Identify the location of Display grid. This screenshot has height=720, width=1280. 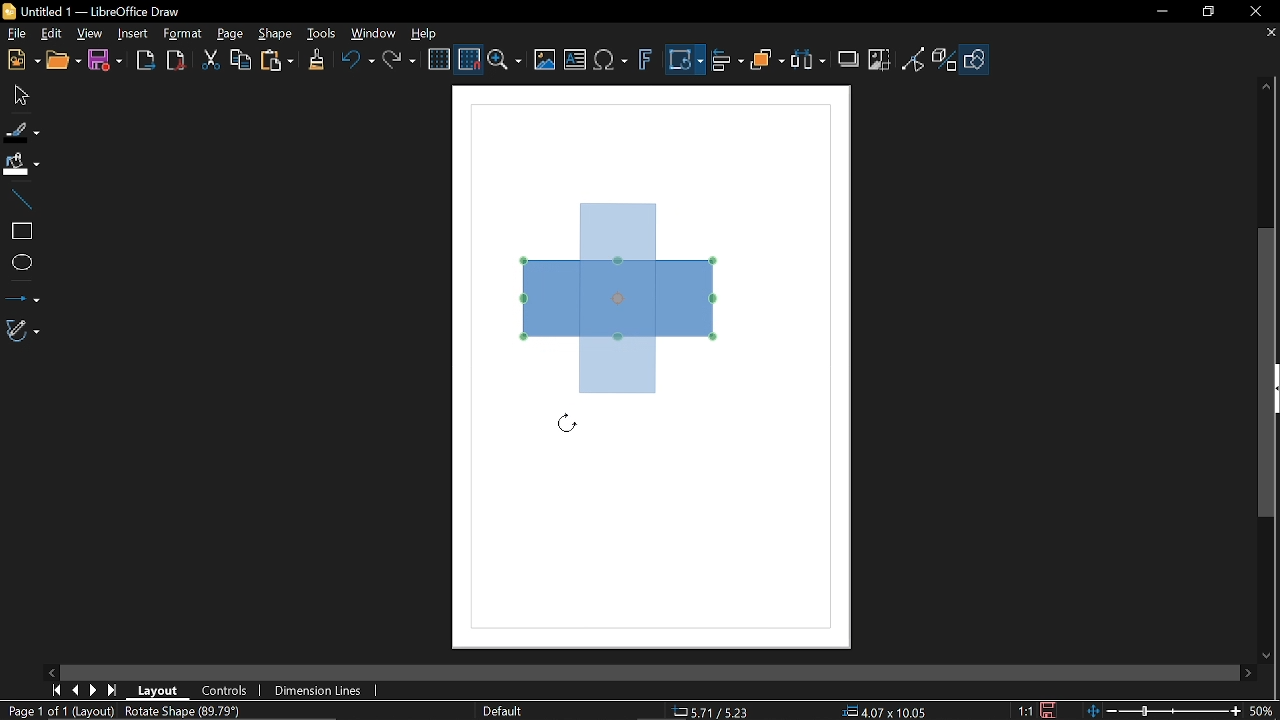
(439, 61).